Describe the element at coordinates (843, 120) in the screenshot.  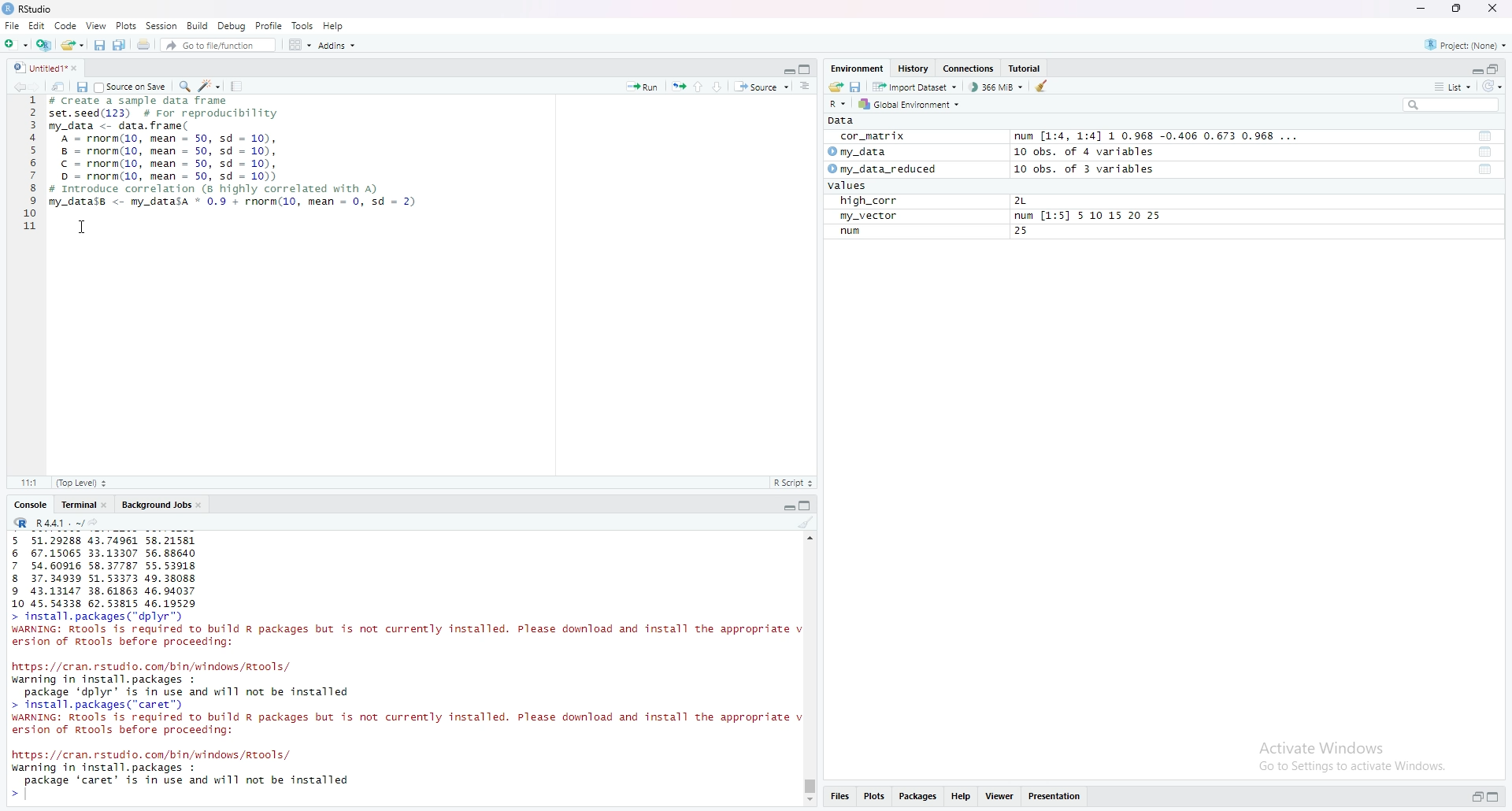
I see `Data ` at that location.